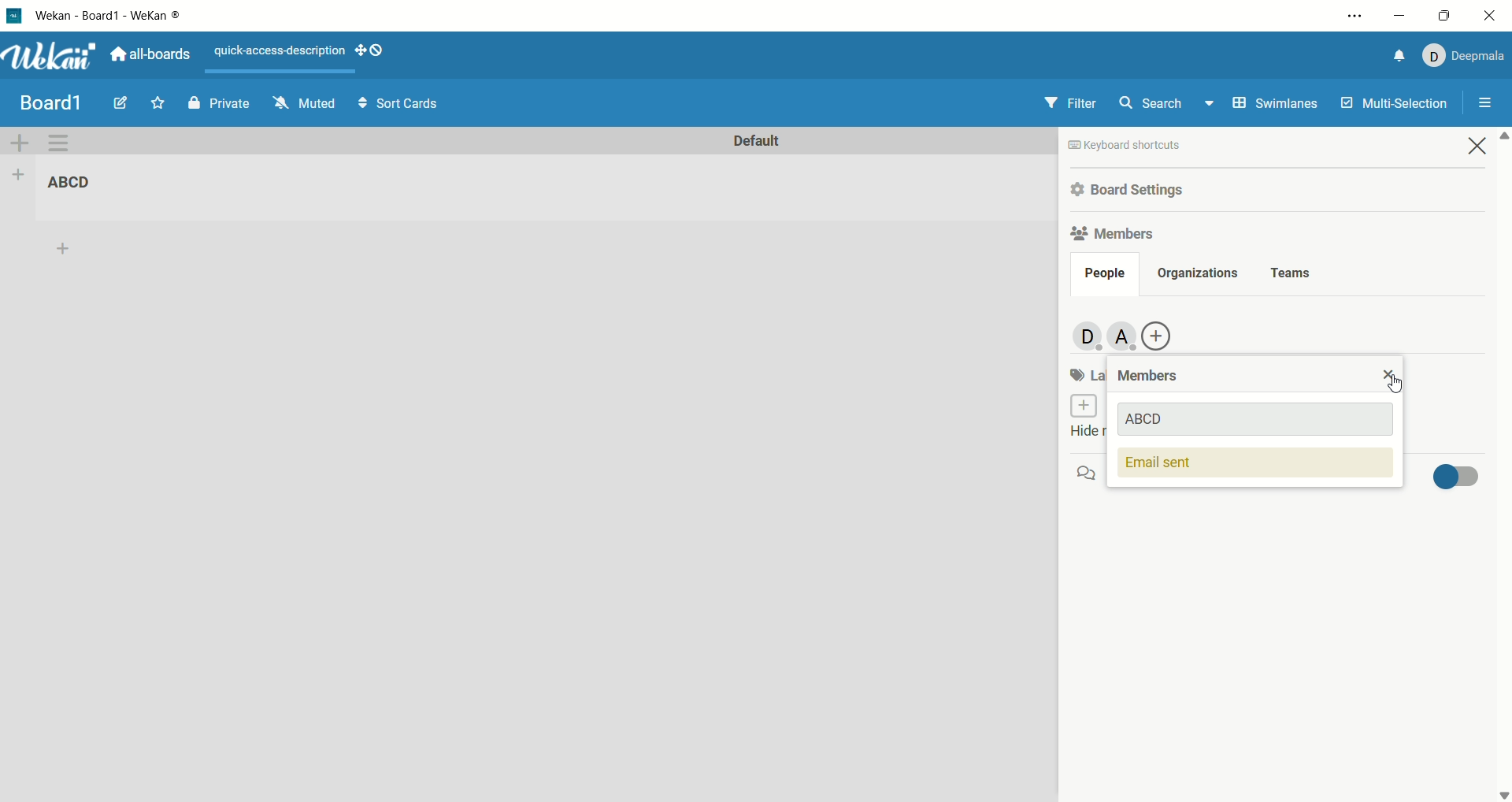 This screenshot has height=802, width=1512. Describe the element at coordinates (361, 52) in the screenshot. I see `show-desktop-drag-handles` at that location.